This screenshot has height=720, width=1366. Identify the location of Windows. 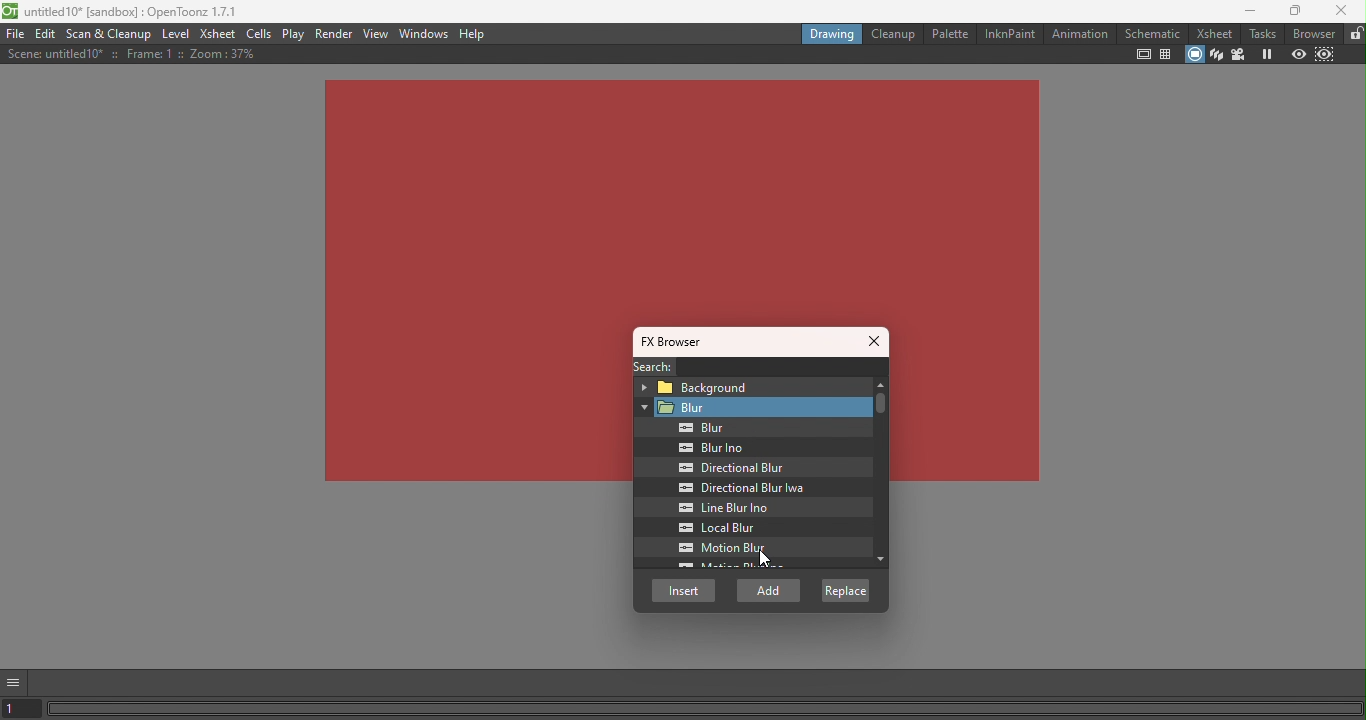
(426, 33).